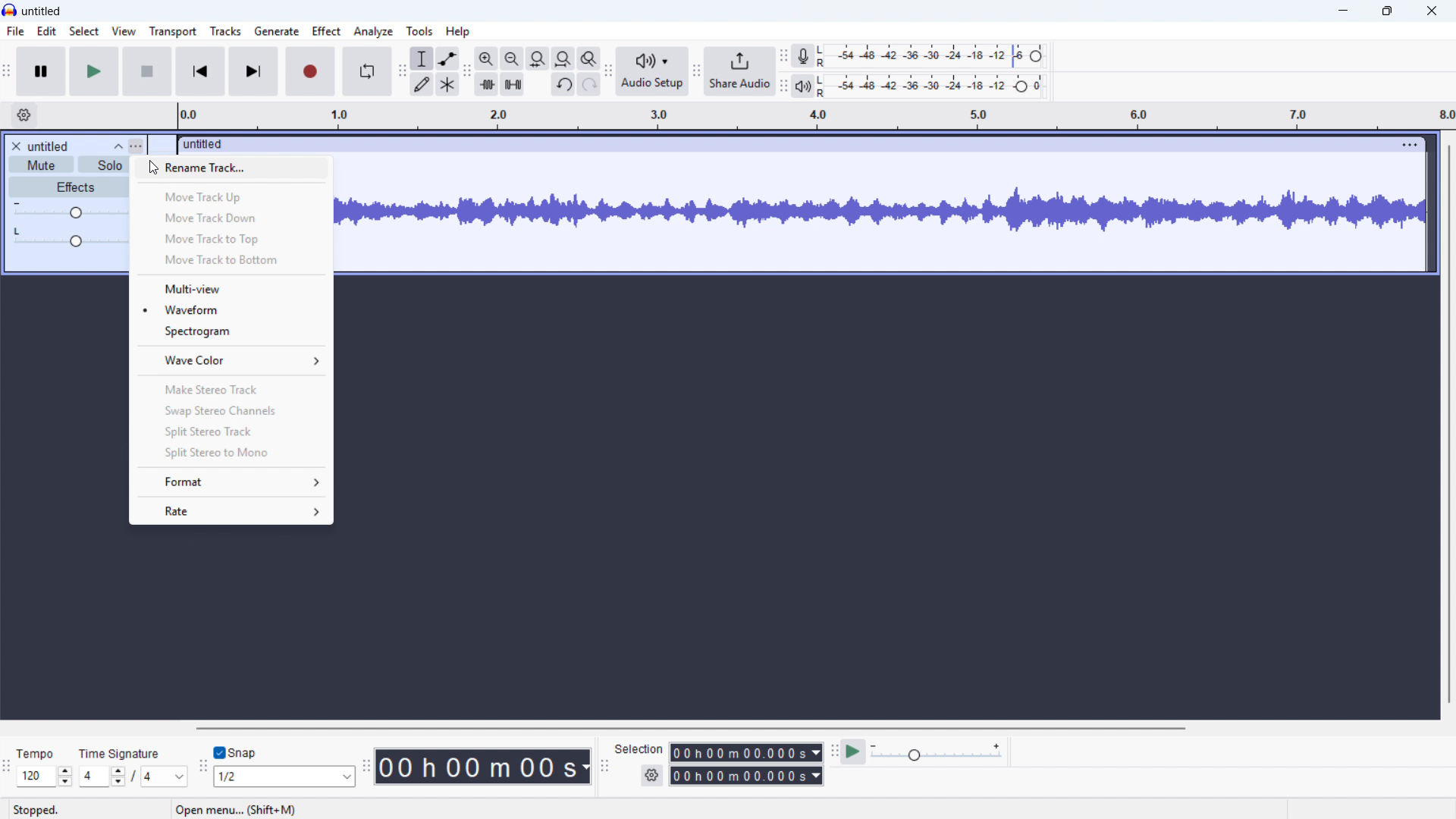  What do you see at coordinates (485, 767) in the screenshot?
I see `Timestamp ` at bounding box center [485, 767].